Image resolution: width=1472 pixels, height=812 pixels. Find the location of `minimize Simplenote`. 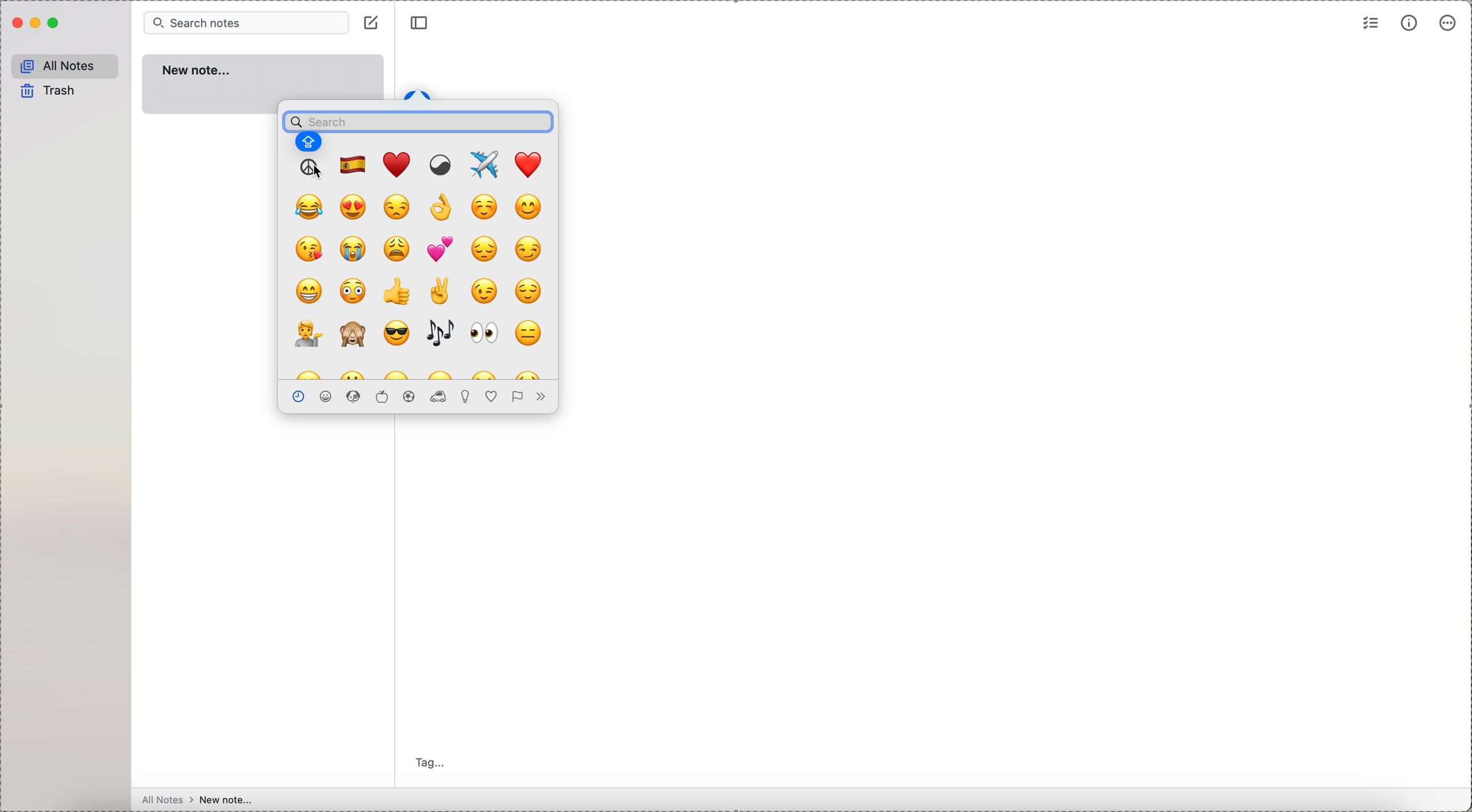

minimize Simplenote is located at coordinates (36, 25).